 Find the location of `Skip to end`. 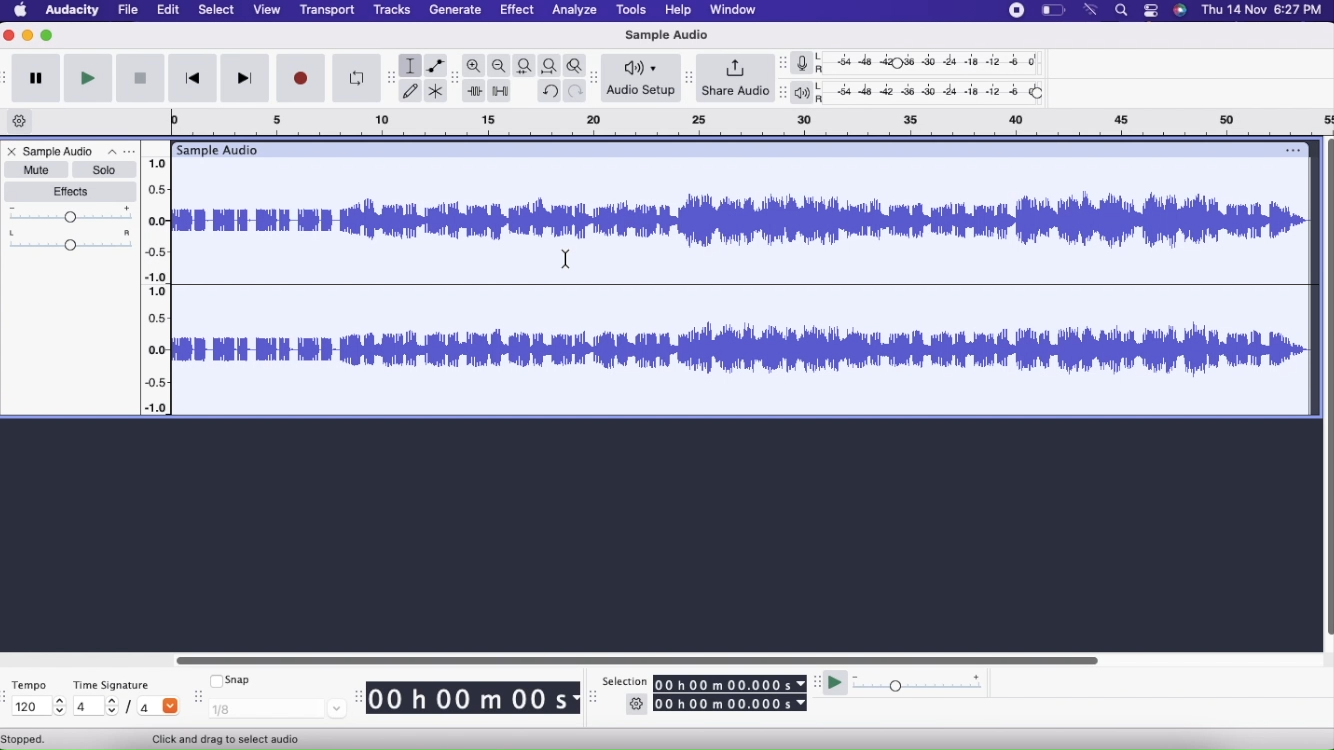

Skip to end is located at coordinates (246, 78).